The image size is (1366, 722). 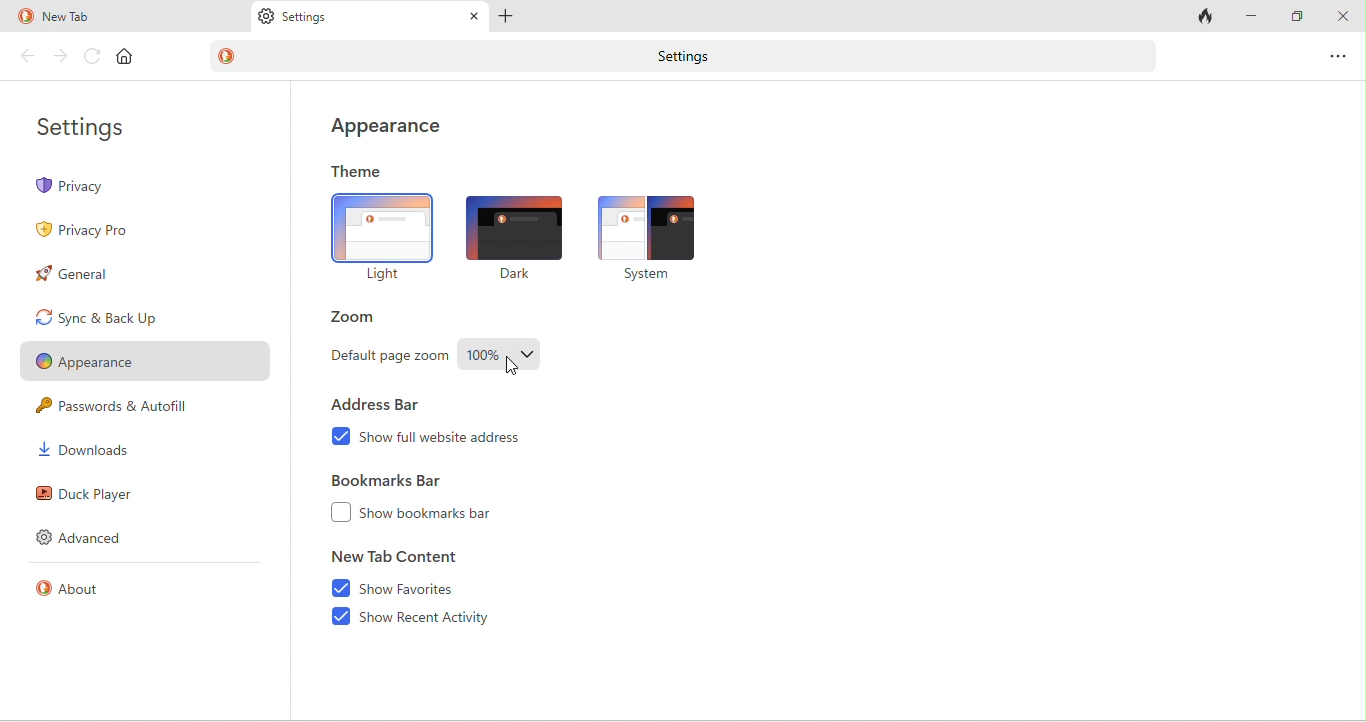 I want to click on light , so click(x=383, y=229).